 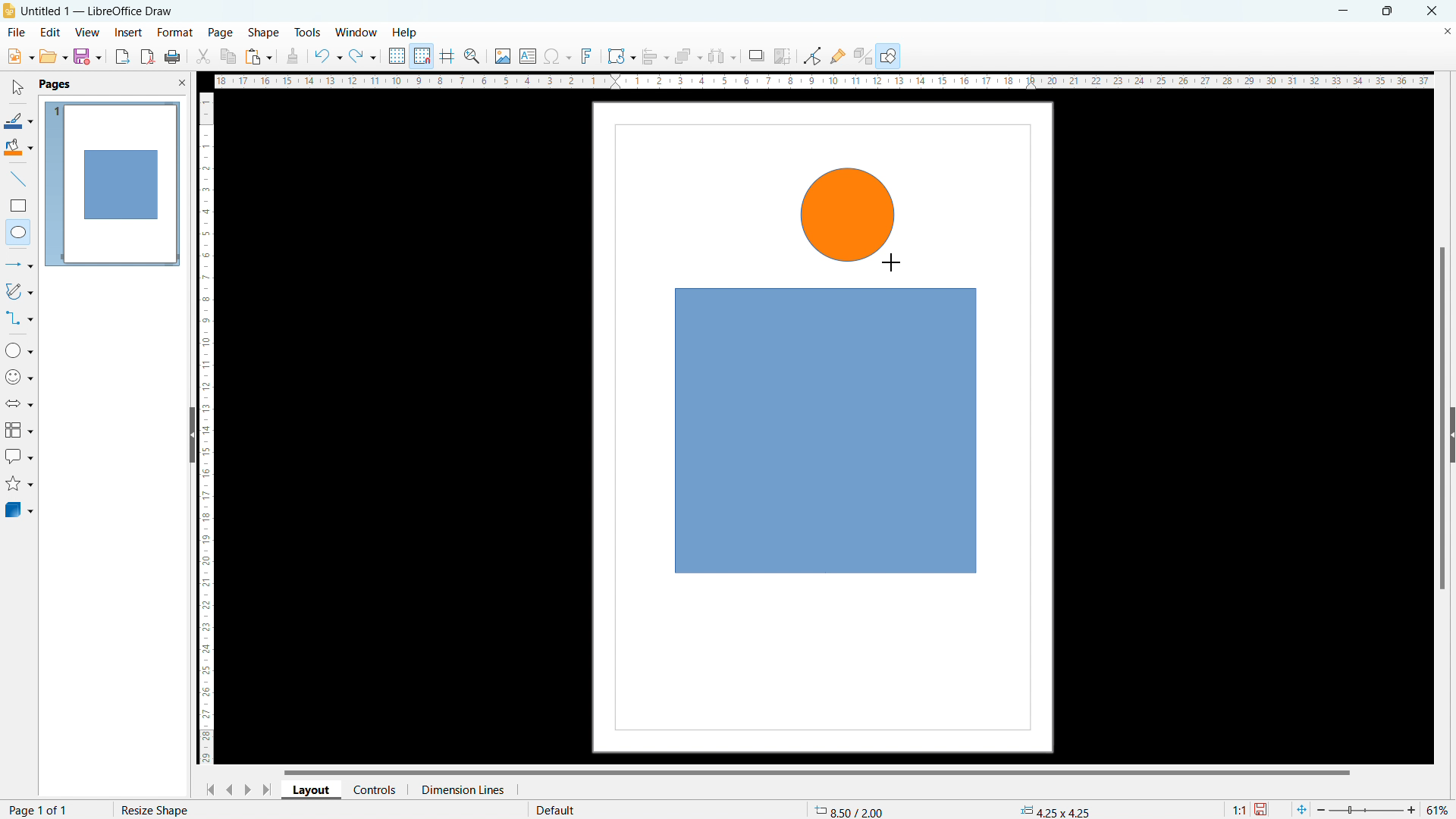 I want to click on current zoom level, so click(x=1439, y=810).